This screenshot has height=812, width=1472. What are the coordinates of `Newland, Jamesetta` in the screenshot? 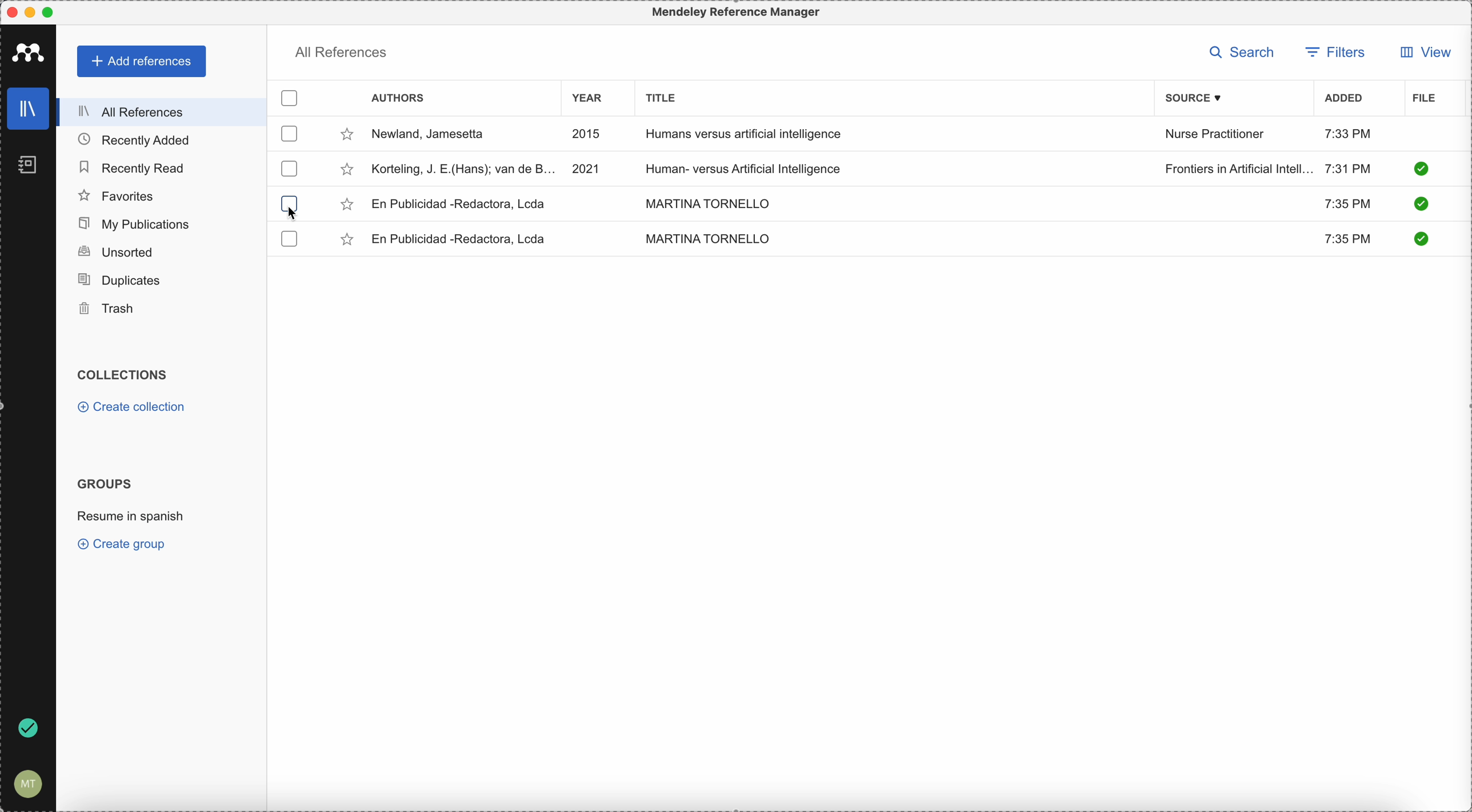 It's located at (434, 135).